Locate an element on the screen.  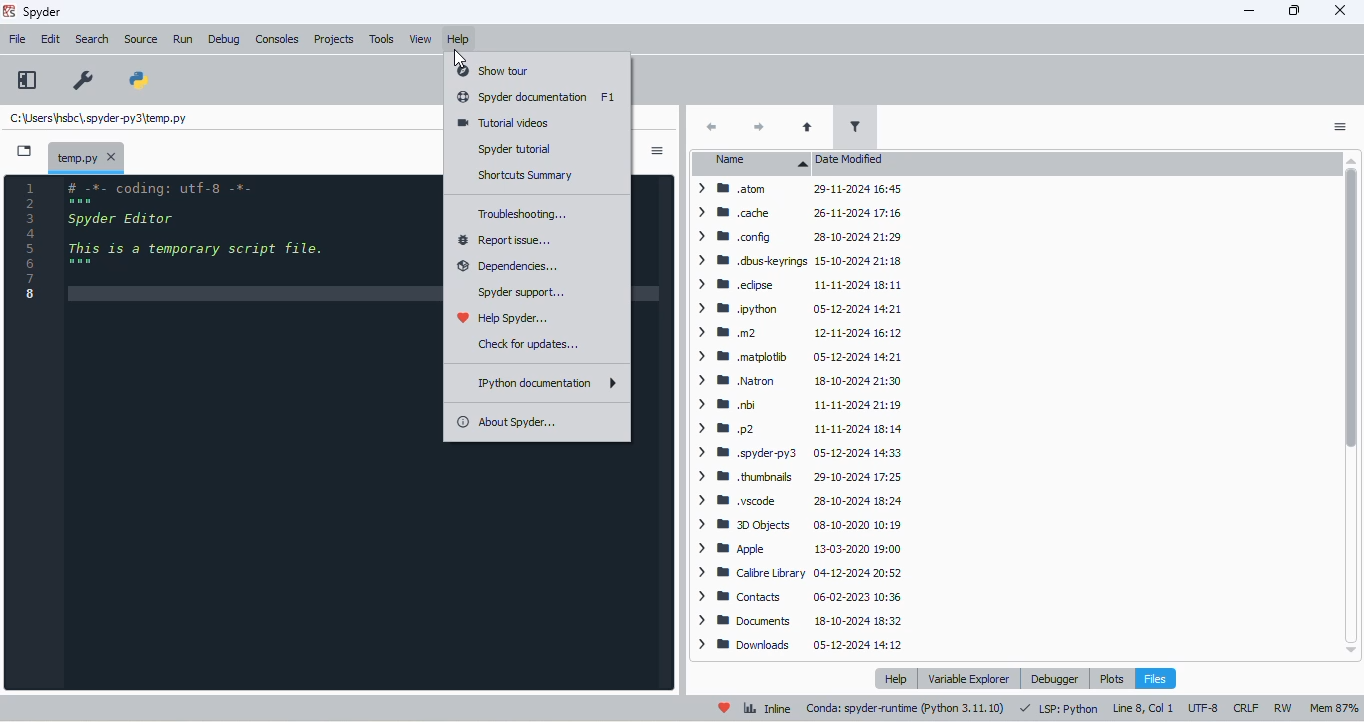
PYTHONPATH manager is located at coordinates (140, 80).